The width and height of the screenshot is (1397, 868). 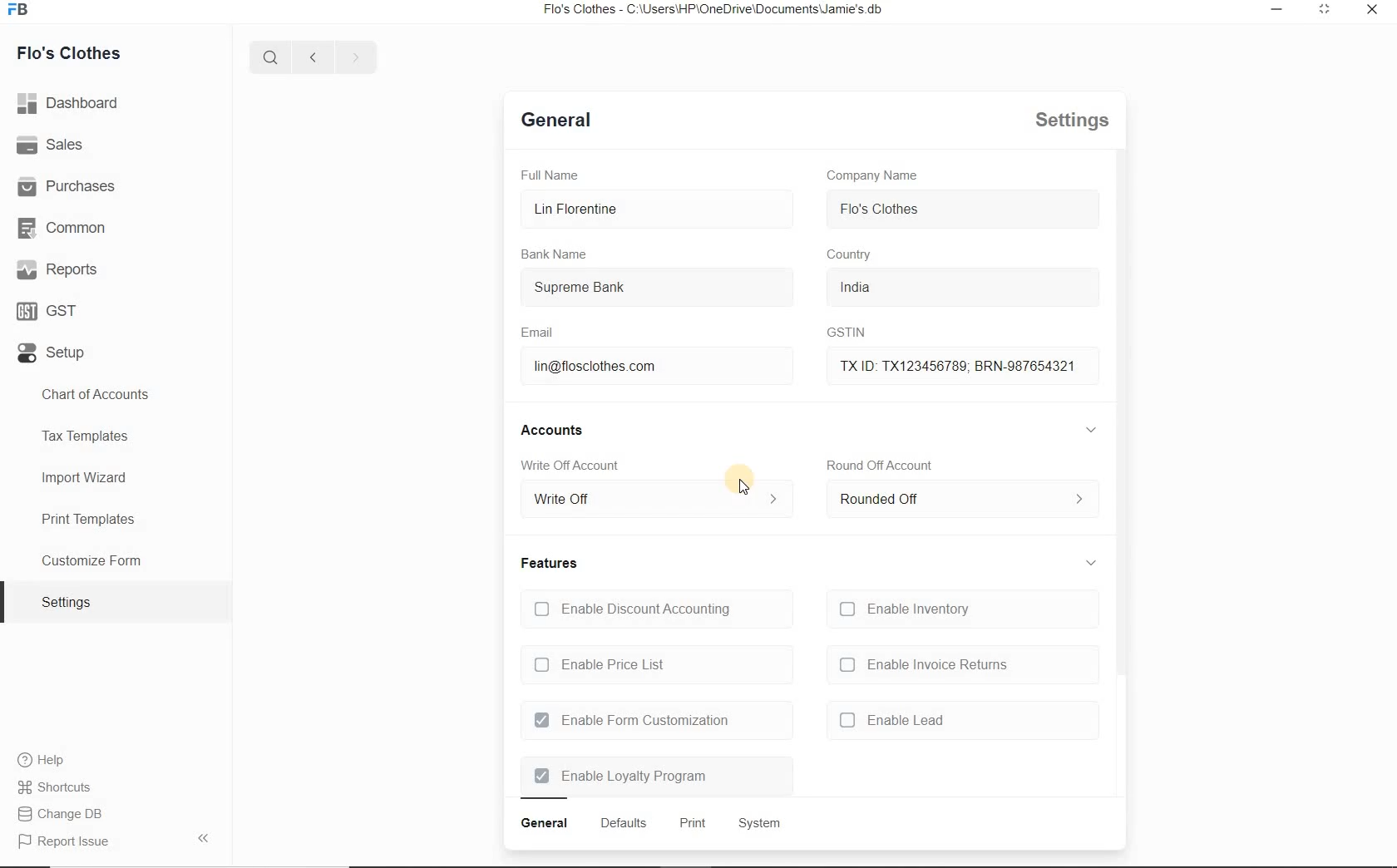 I want to click on Enable Discount Accounting, so click(x=631, y=609).